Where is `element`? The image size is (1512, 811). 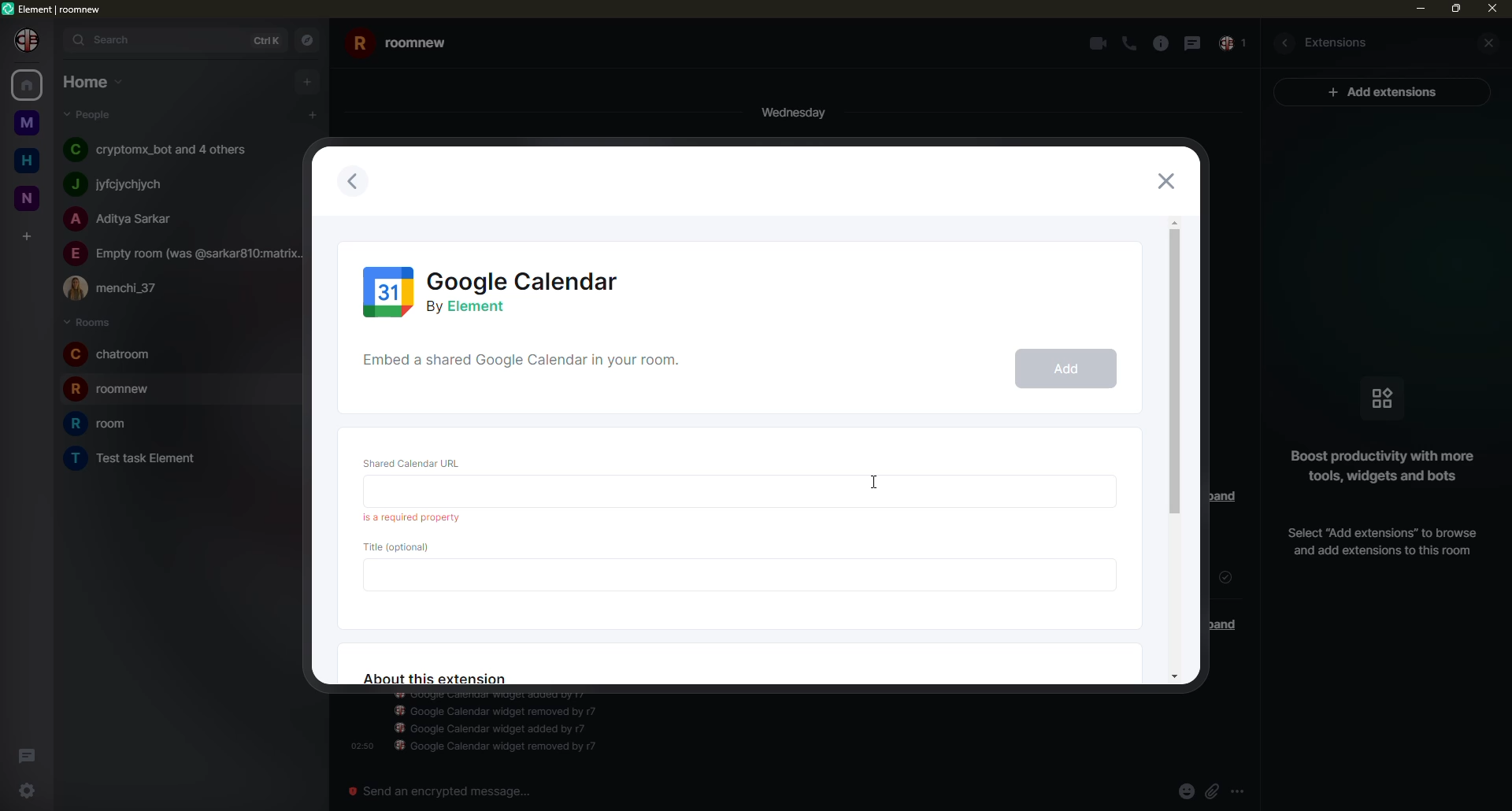
element is located at coordinates (54, 9).